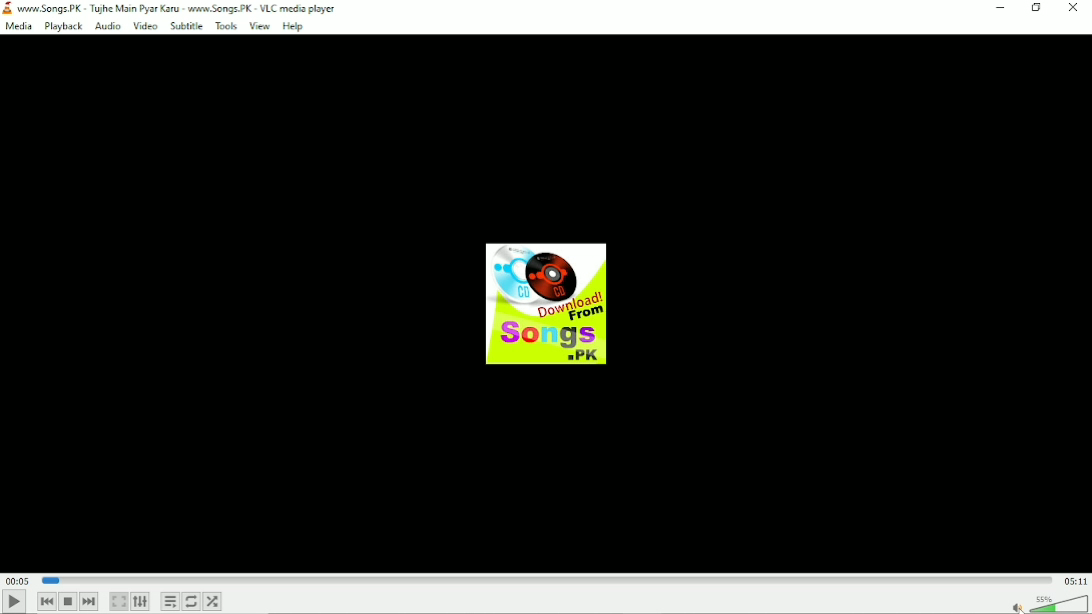  I want to click on Random, so click(212, 602).